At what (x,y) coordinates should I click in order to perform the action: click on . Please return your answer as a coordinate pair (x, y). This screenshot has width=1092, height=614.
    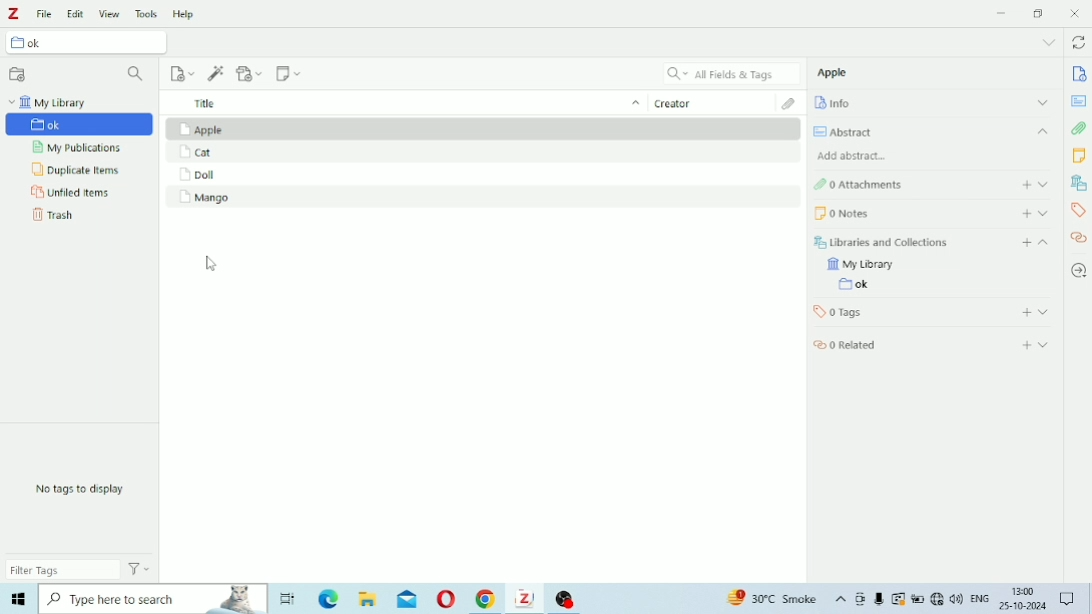
    Looking at the image, I should click on (878, 599).